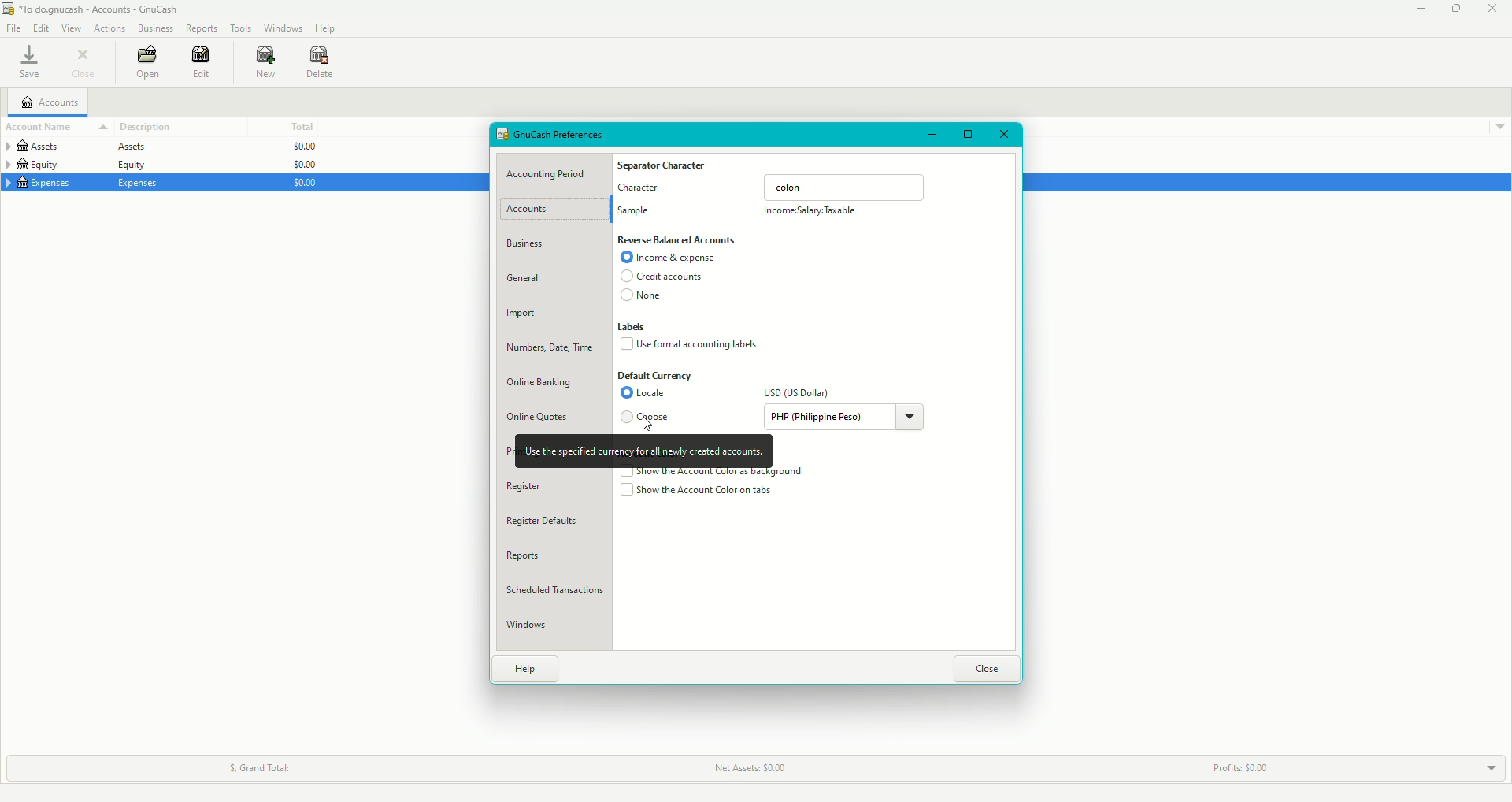 Image resolution: width=1512 pixels, height=802 pixels. Describe the element at coordinates (699, 492) in the screenshot. I see `Show account colors on tabs` at that location.